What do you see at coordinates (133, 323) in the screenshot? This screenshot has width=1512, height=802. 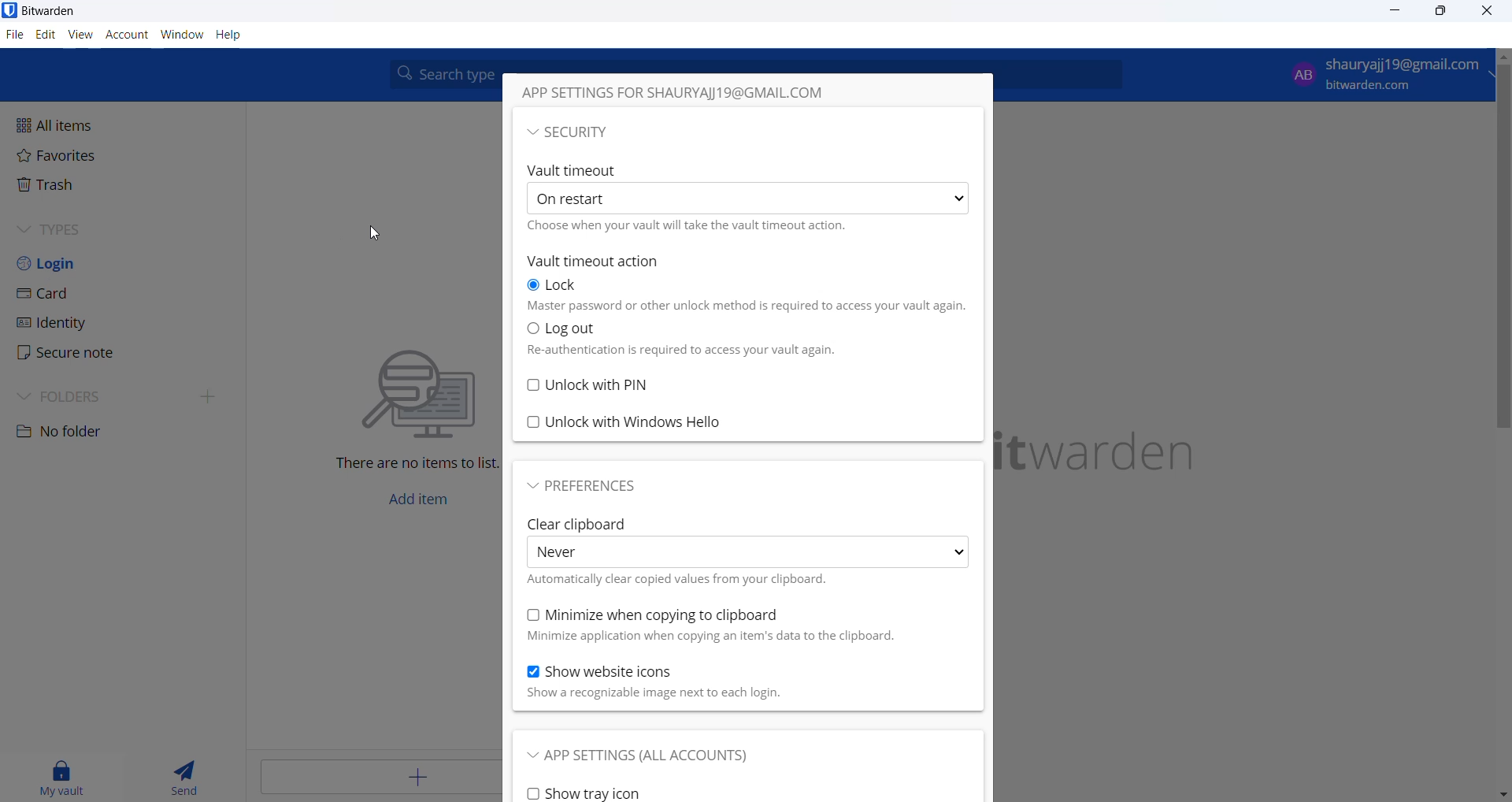 I see `identity` at bounding box center [133, 323].